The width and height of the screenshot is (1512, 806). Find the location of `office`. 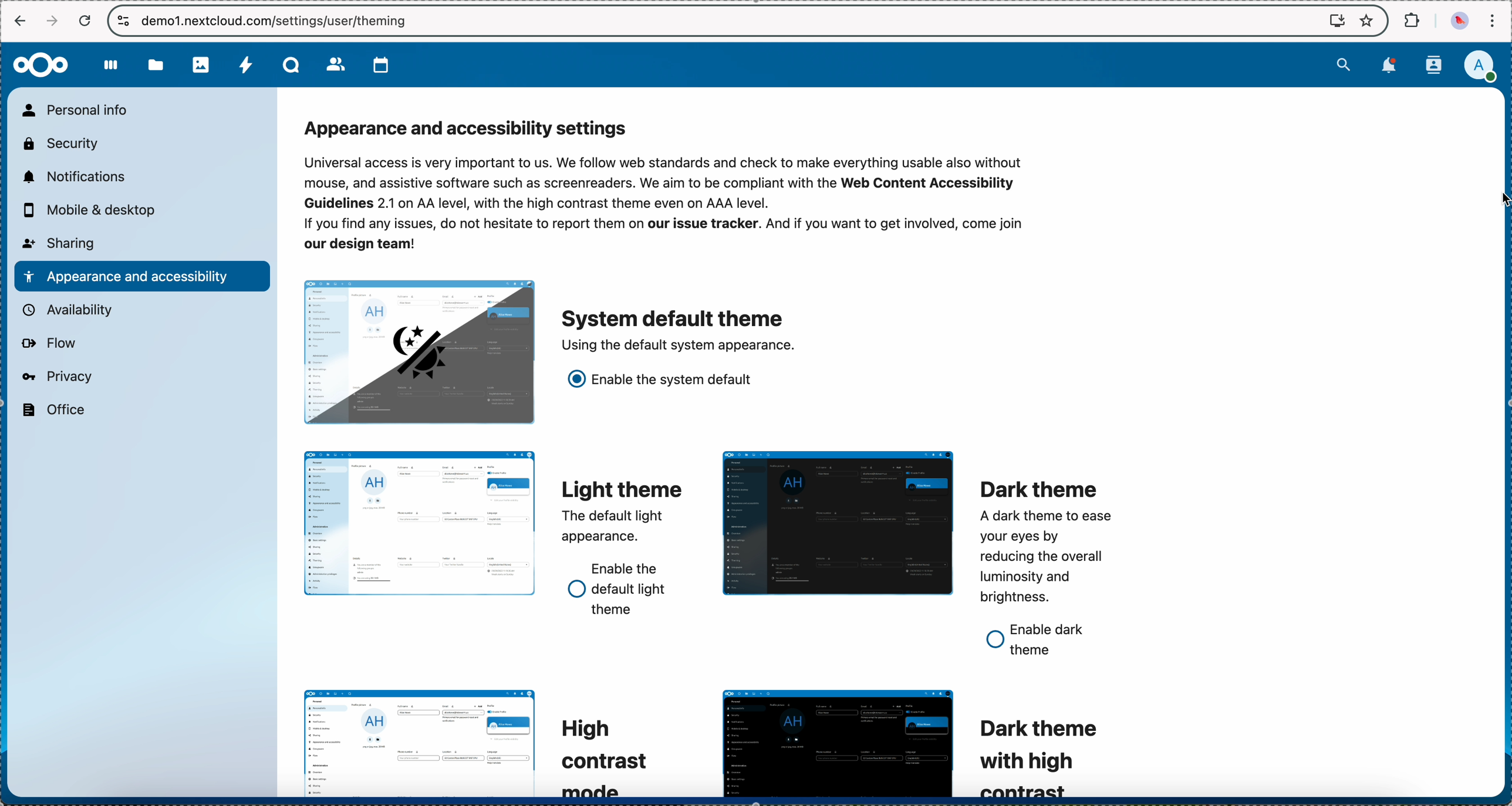

office is located at coordinates (54, 411).